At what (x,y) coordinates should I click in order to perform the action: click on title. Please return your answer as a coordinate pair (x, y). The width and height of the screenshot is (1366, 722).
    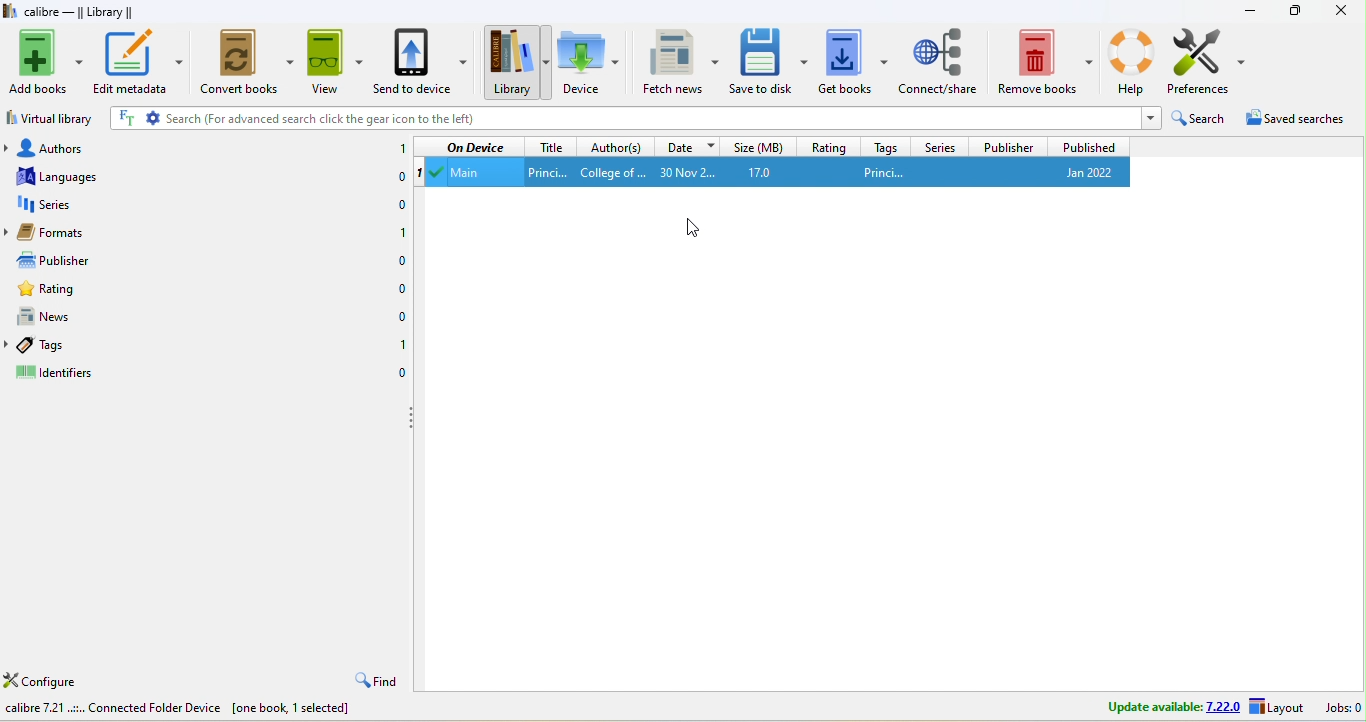
    Looking at the image, I should click on (550, 145).